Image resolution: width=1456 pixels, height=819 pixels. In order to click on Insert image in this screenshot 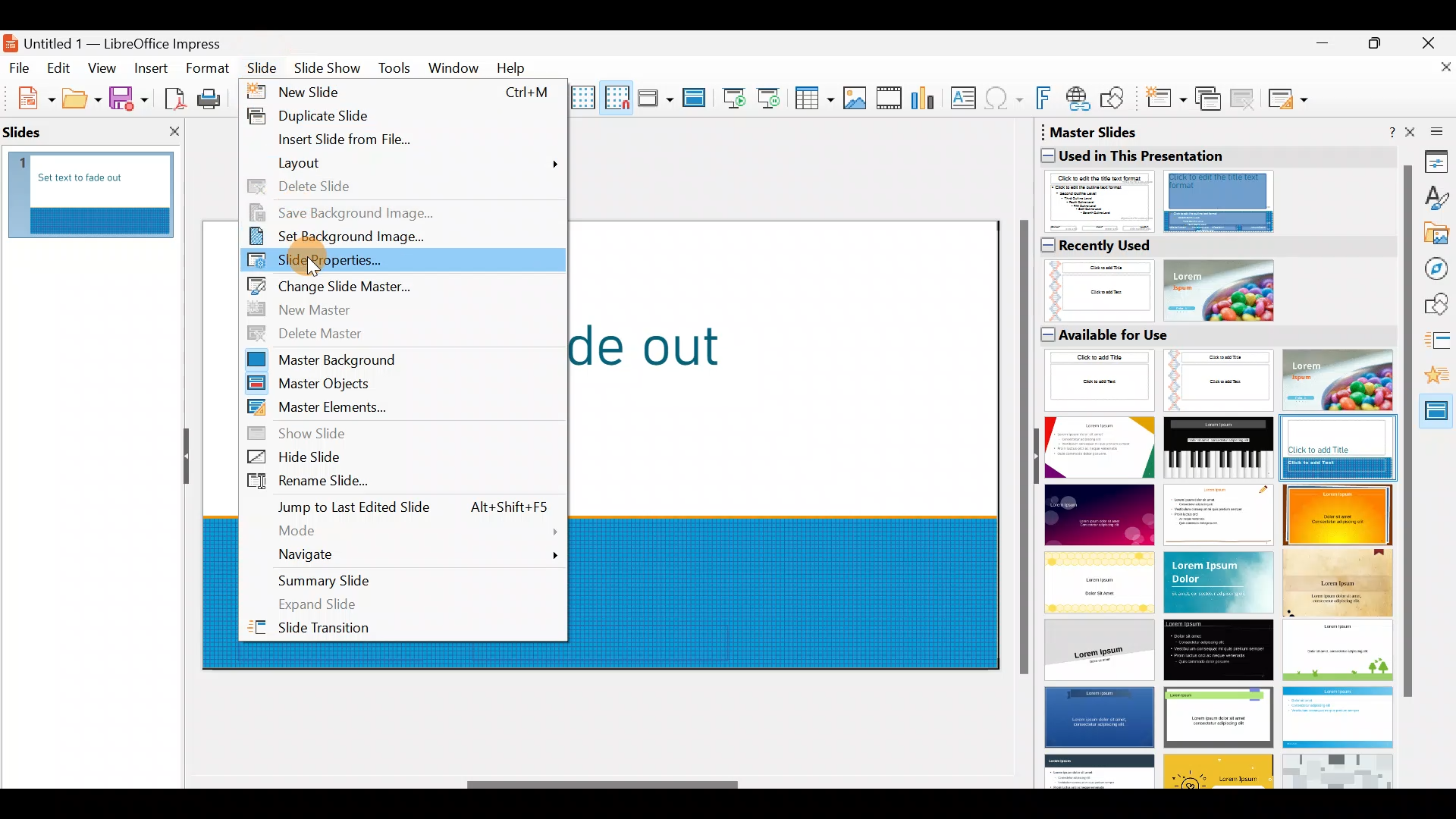, I will do `click(858, 99)`.